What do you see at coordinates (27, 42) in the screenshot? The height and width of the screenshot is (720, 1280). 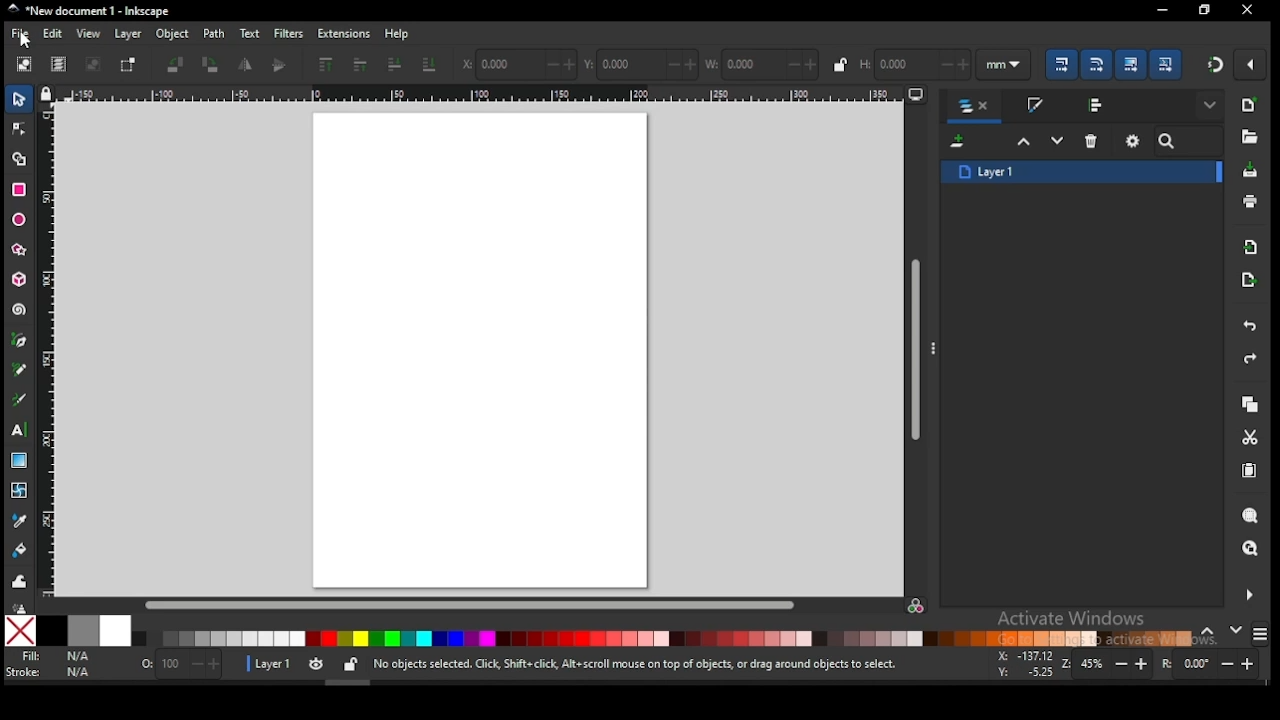 I see `cursor` at bounding box center [27, 42].